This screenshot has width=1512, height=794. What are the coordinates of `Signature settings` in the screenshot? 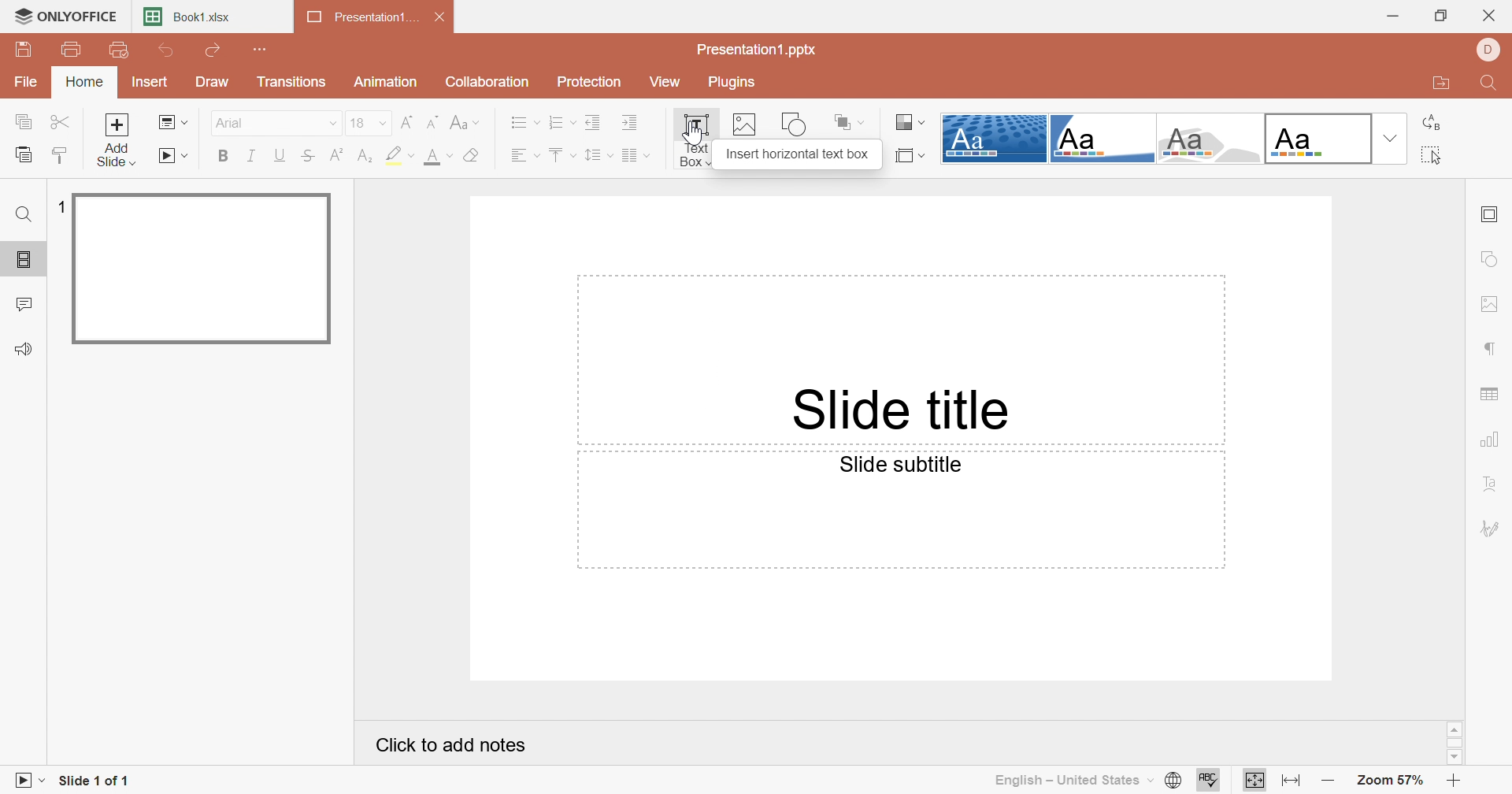 It's located at (1492, 529).